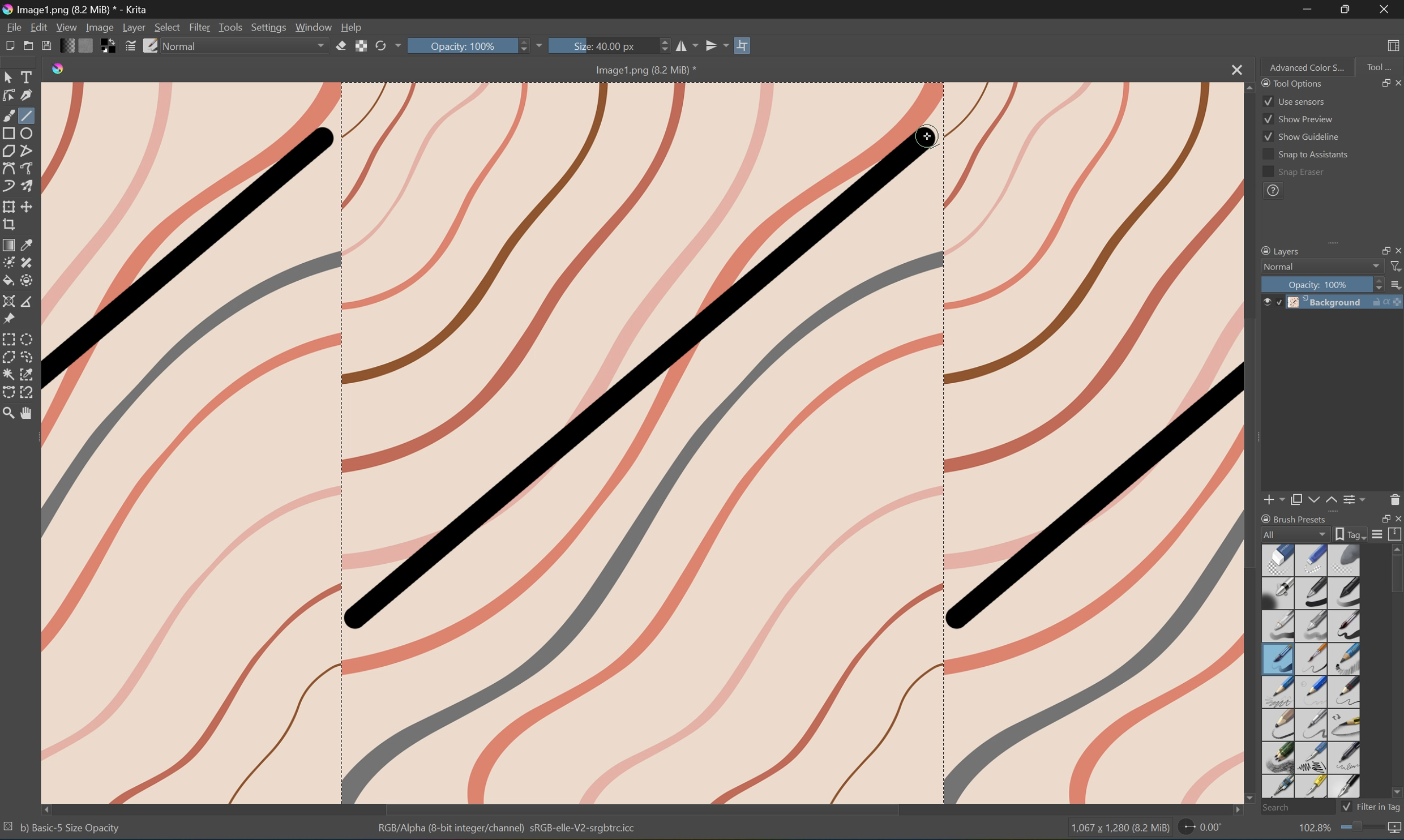 The height and width of the screenshot is (840, 1404). What do you see at coordinates (1396, 45) in the screenshot?
I see `Choose workspace` at bounding box center [1396, 45].